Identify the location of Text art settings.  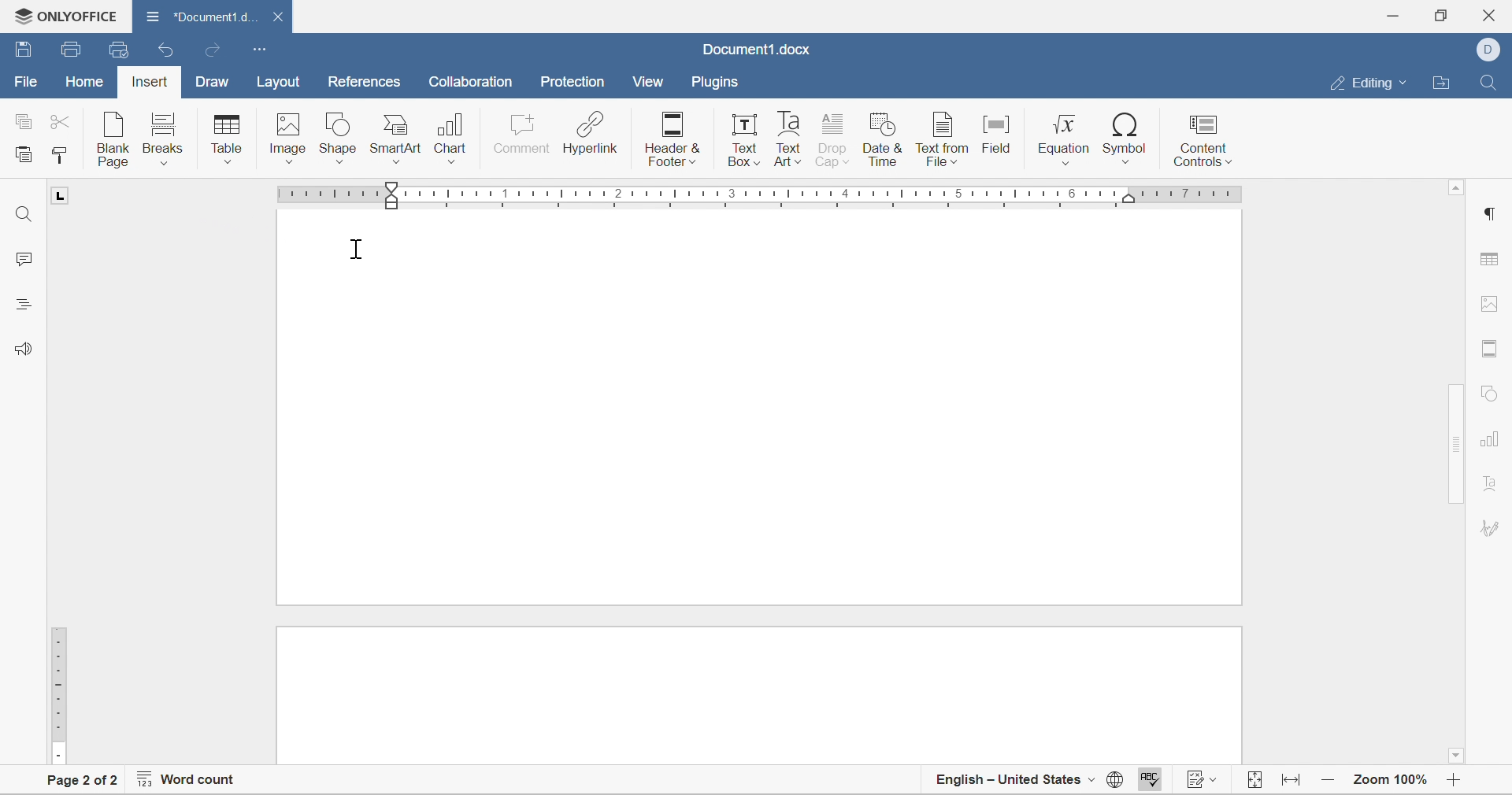
(1493, 530).